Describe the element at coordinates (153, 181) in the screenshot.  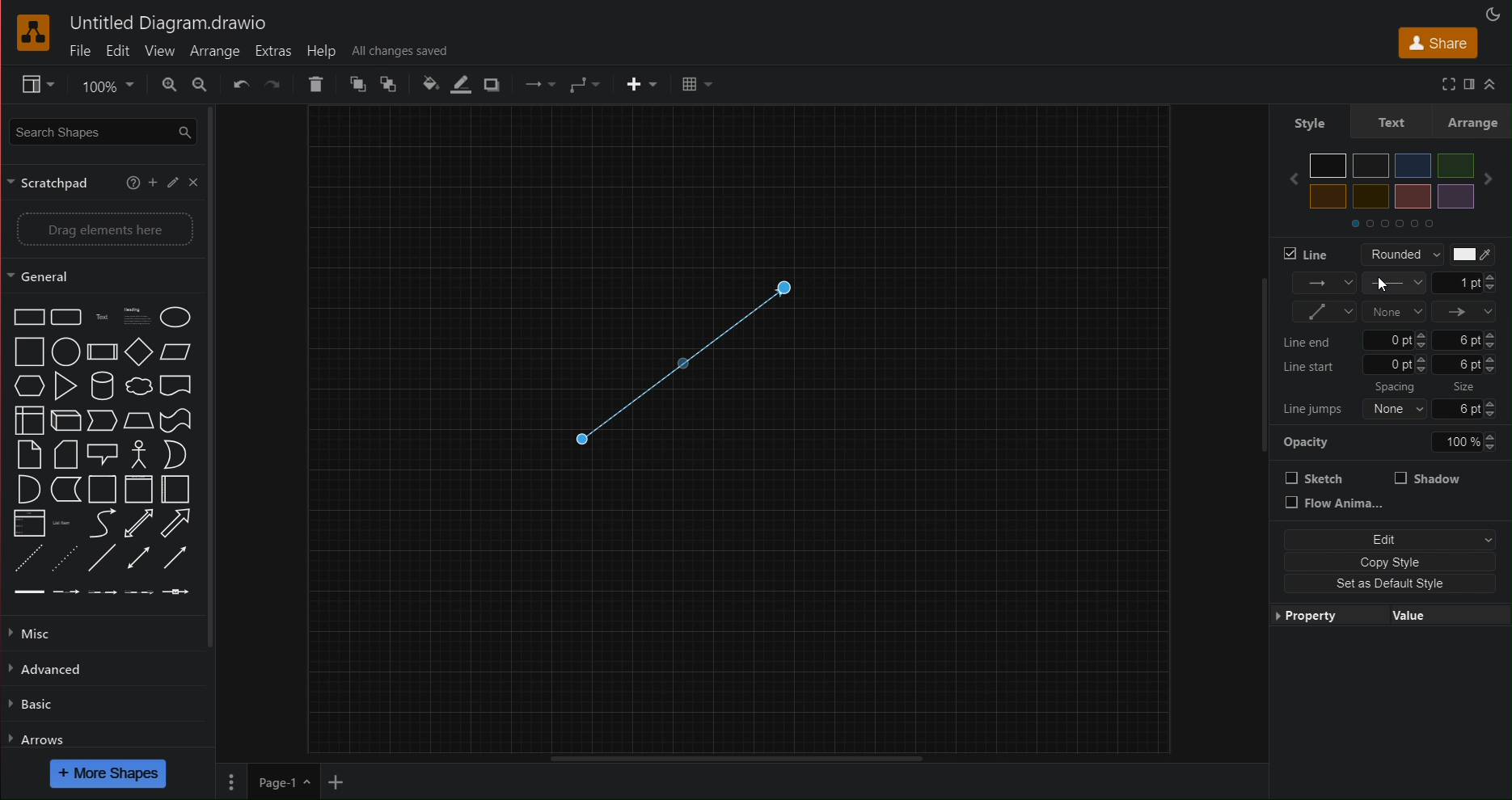
I see `Add` at that location.